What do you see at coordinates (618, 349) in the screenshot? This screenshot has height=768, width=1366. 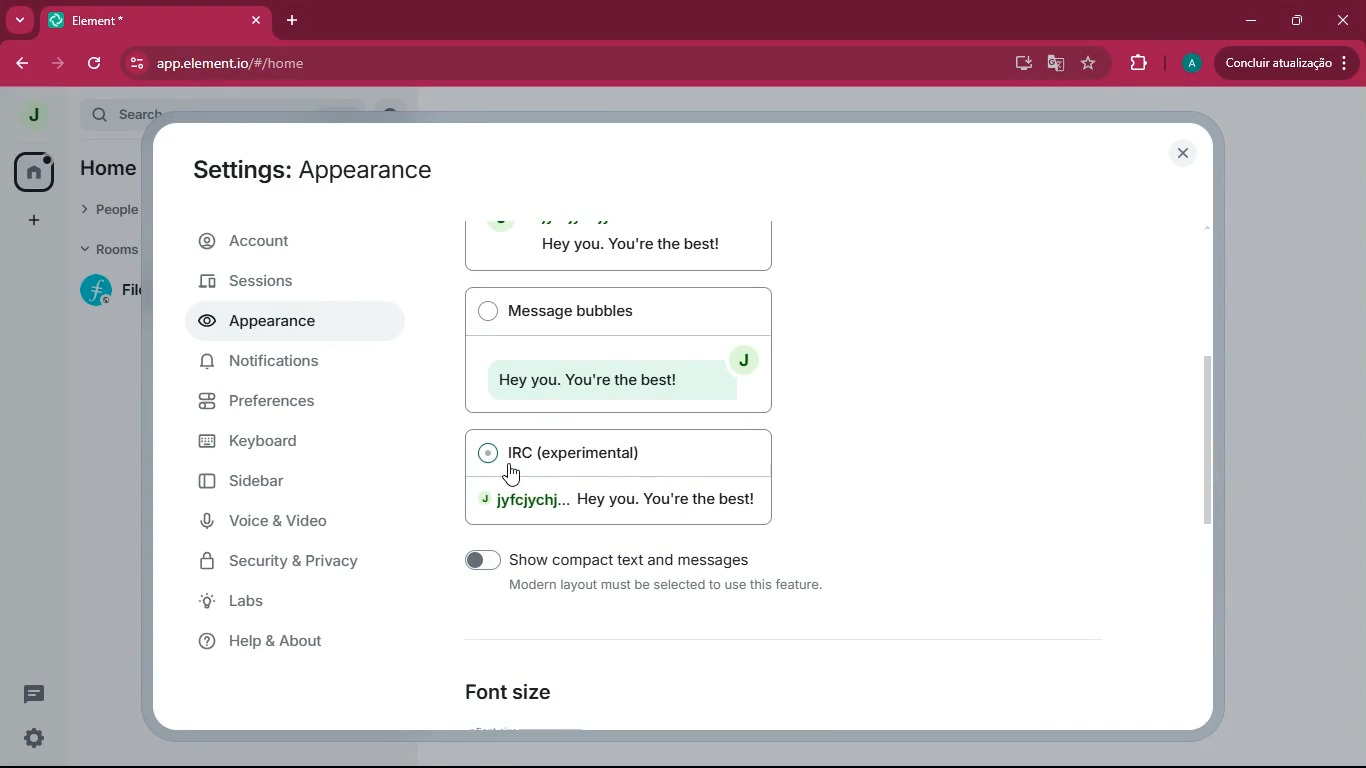 I see `Message bubbles` at bounding box center [618, 349].